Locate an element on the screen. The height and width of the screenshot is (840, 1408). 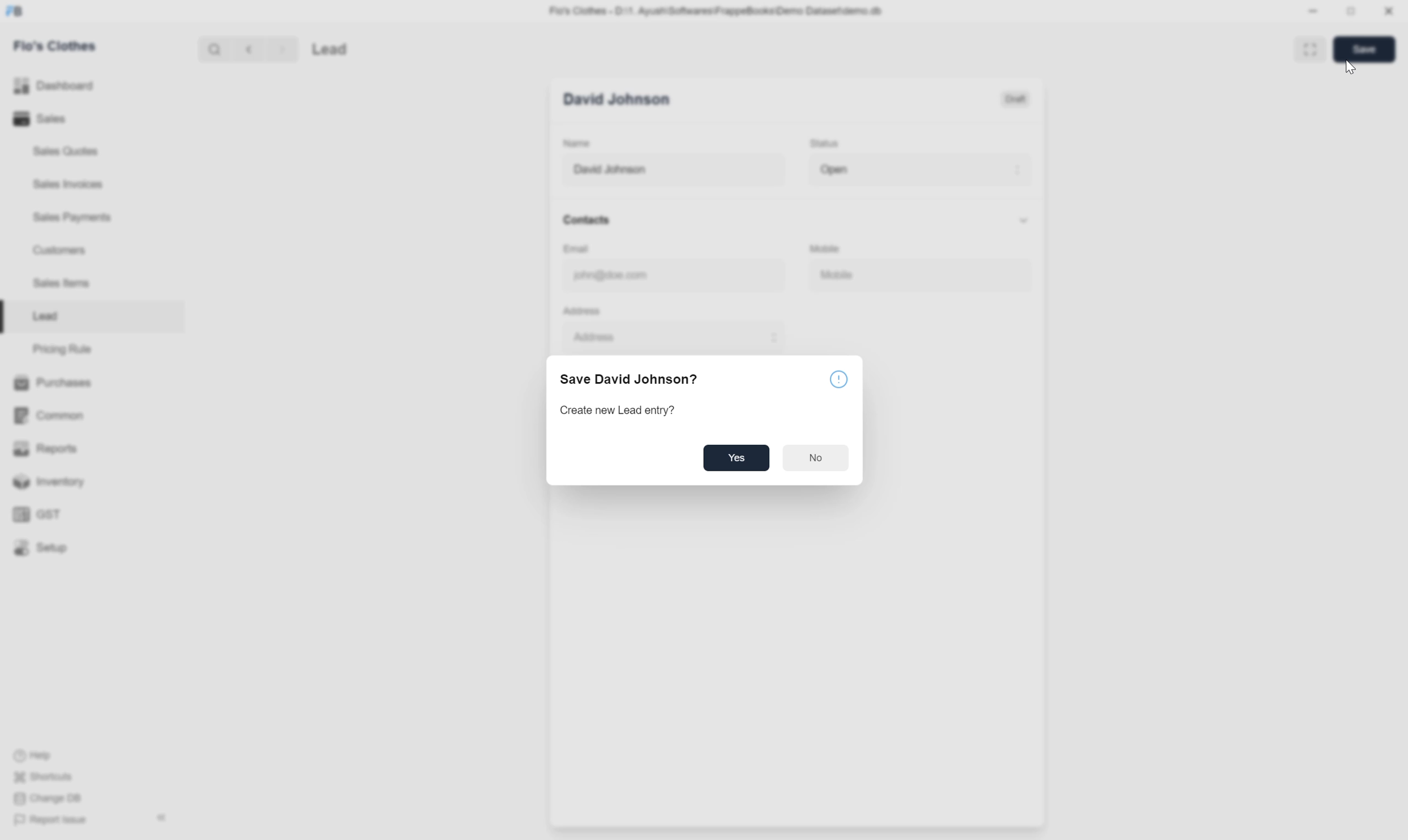
Customers is located at coordinates (66, 251).